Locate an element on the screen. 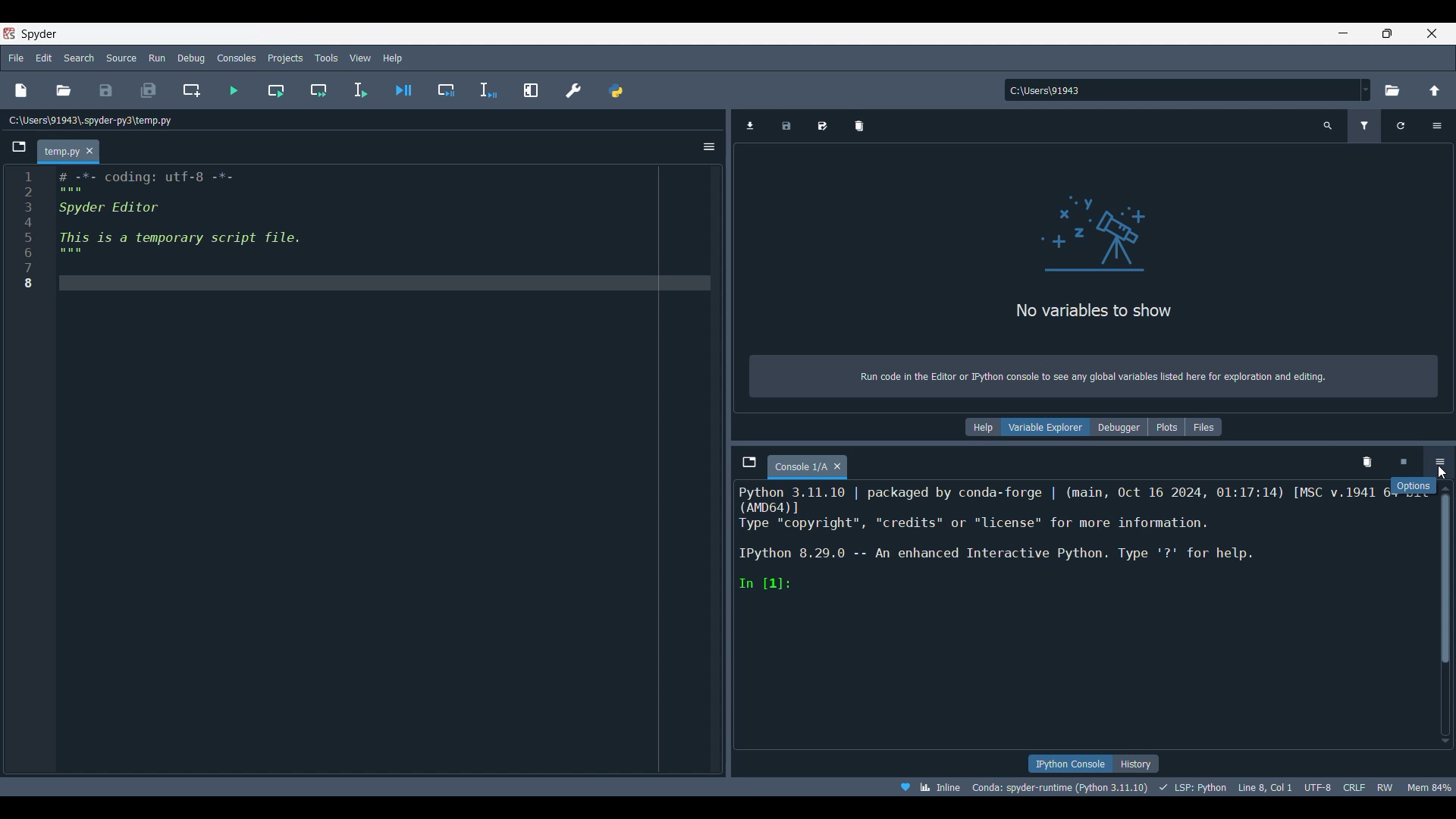 The height and width of the screenshot is (819, 1456). Vertical slide bar is located at coordinates (1445, 615).